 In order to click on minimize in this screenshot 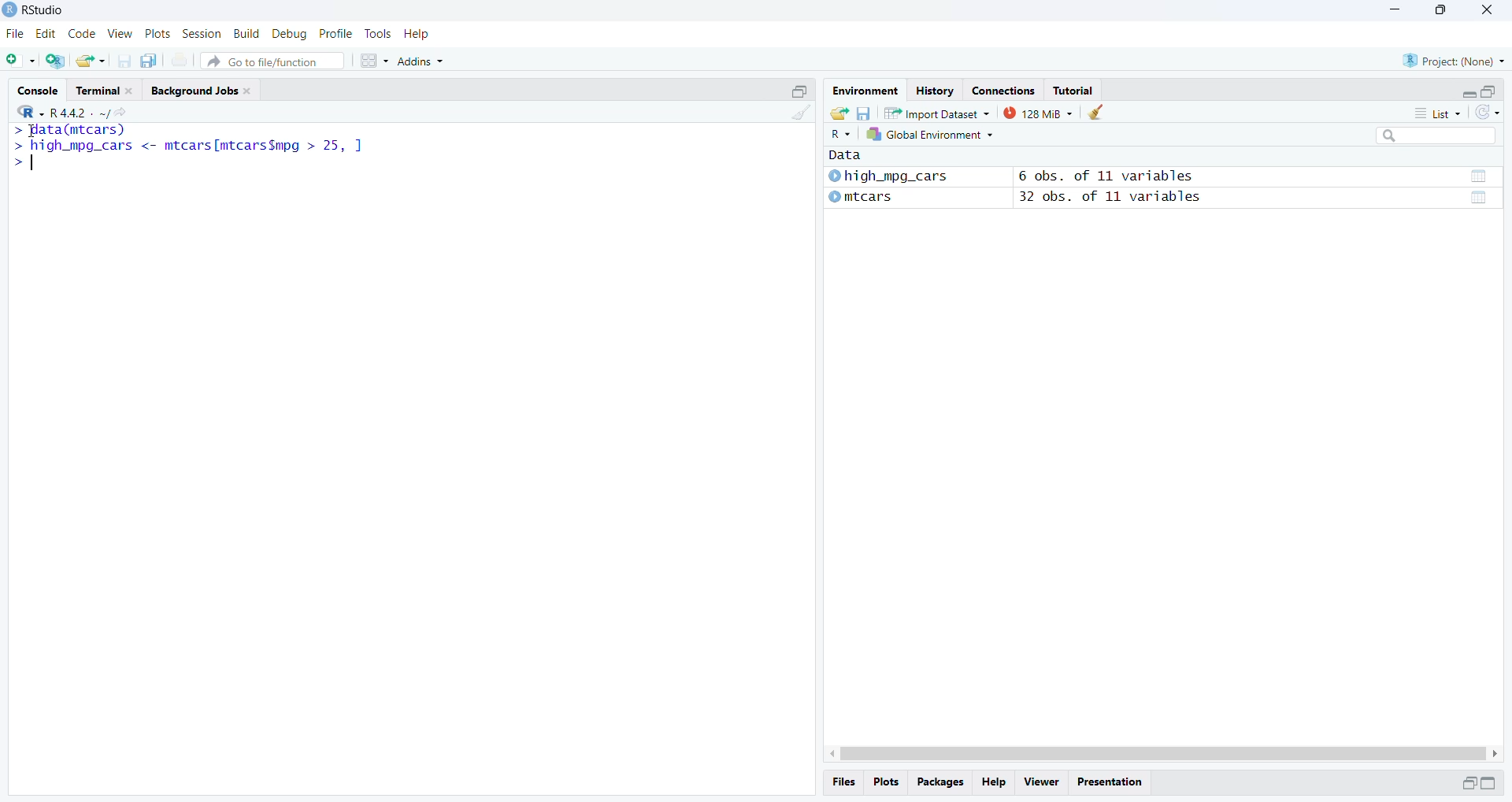, I will do `click(1396, 9)`.